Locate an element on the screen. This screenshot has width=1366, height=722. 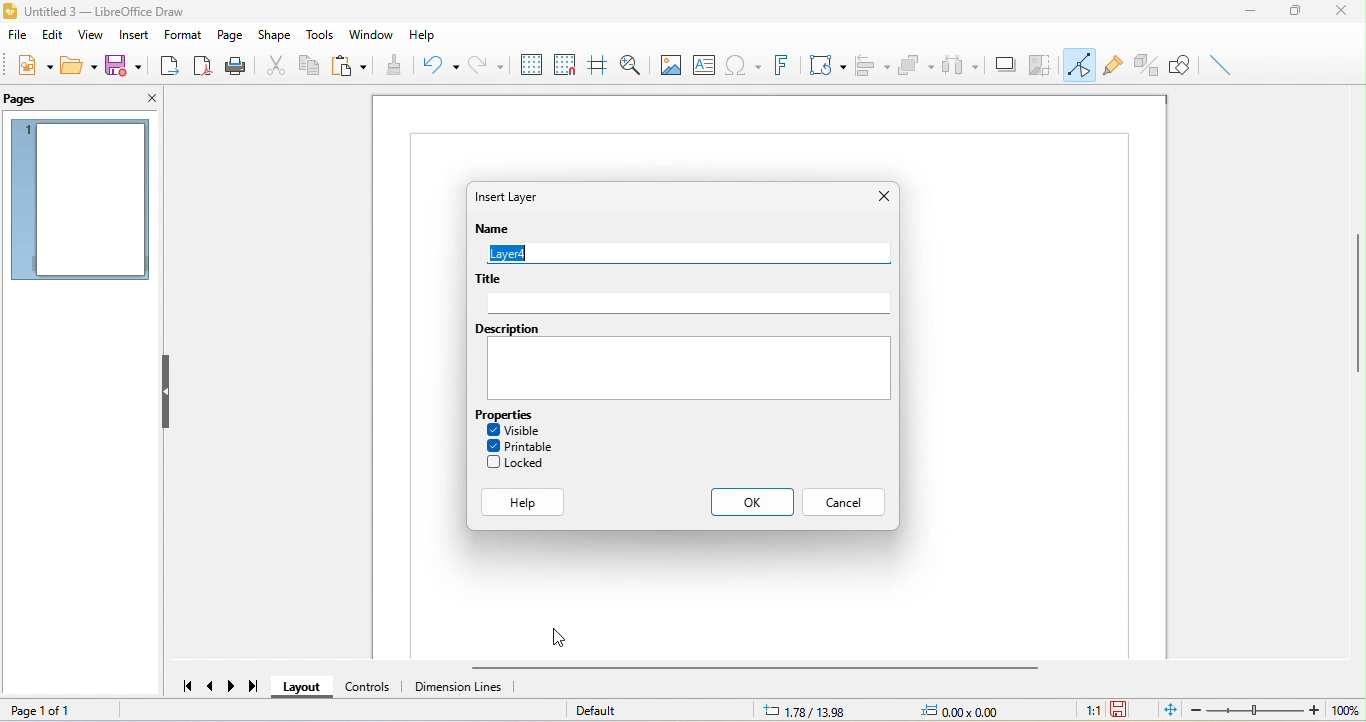
tools is located at coordinates (317, 35).